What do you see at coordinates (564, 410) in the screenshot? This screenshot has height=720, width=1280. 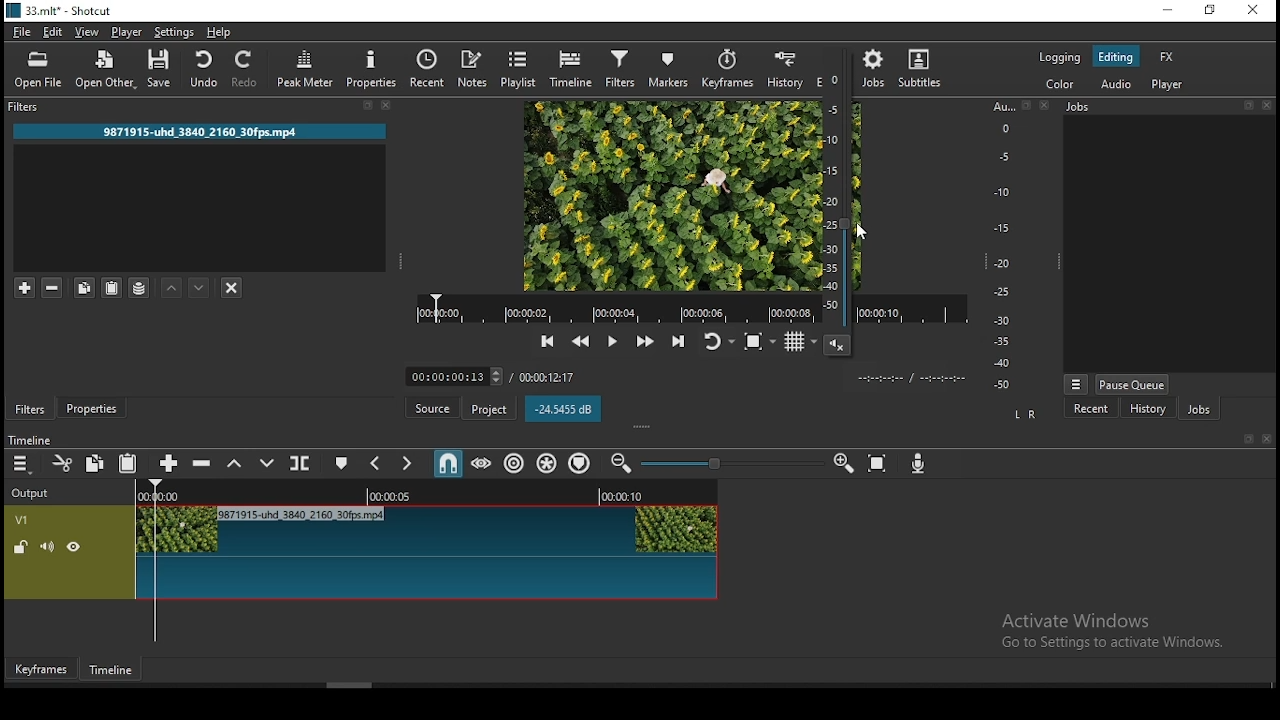 I see `-24.5455 dB` at bounding box center [564, 410].